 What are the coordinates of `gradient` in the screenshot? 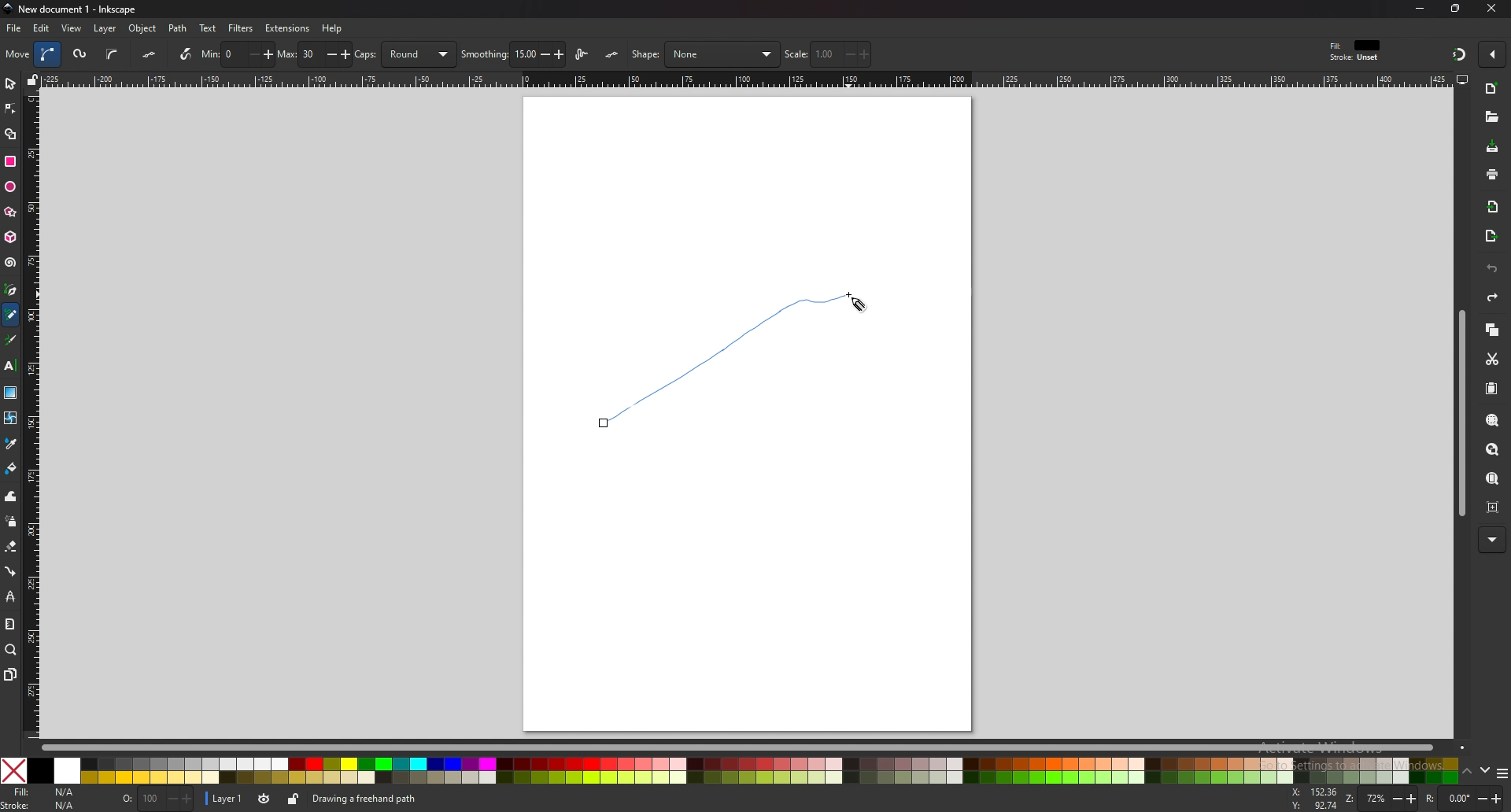 It's located at (10, 392).